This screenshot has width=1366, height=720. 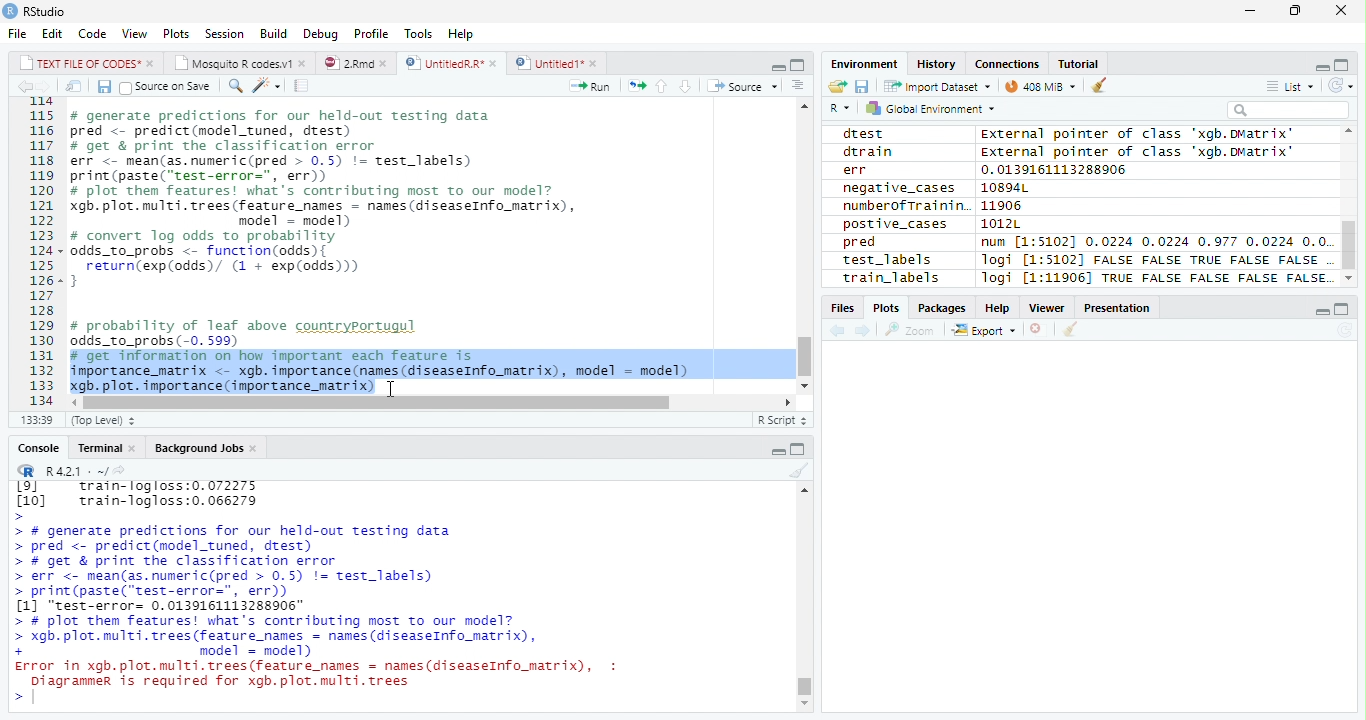 What do you see at coordinates (356, 63) in the screenshot?
I see `2.Rmd` at bounding box center [356, 63].